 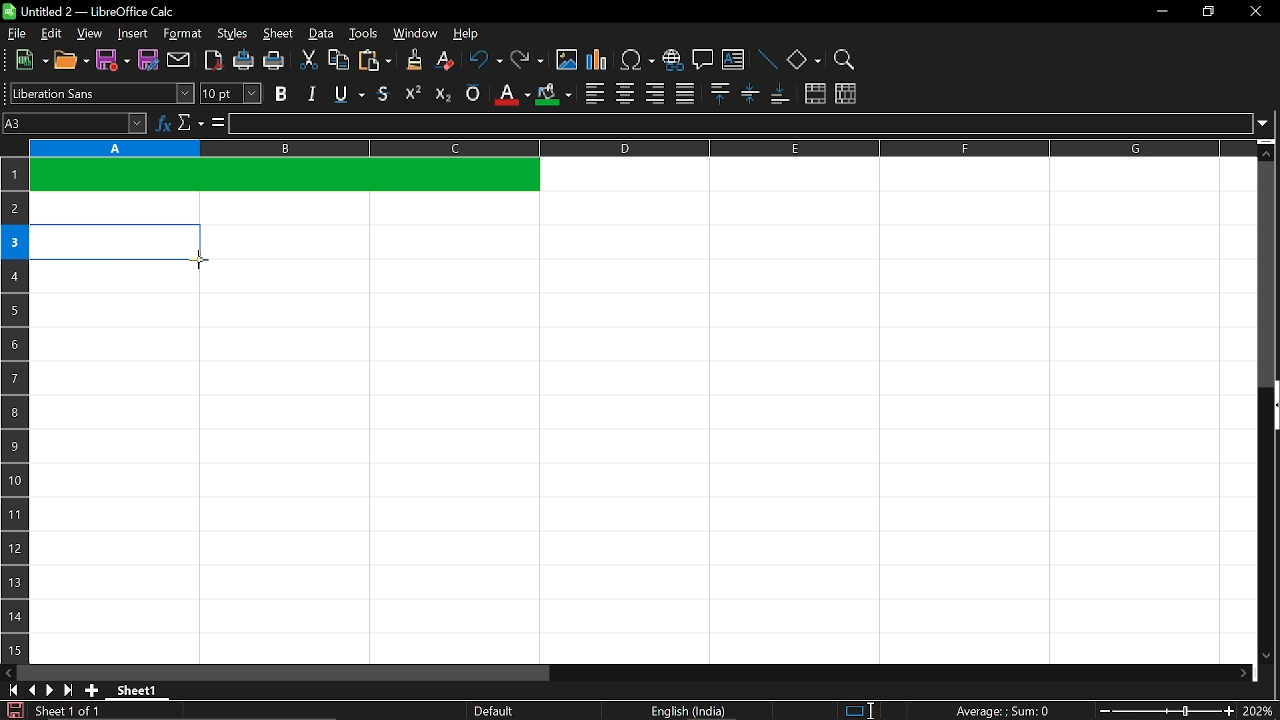 What do you see at coordinates (281, 94) in the screenshot?
I see `bold` at bounding box center [281, 94].